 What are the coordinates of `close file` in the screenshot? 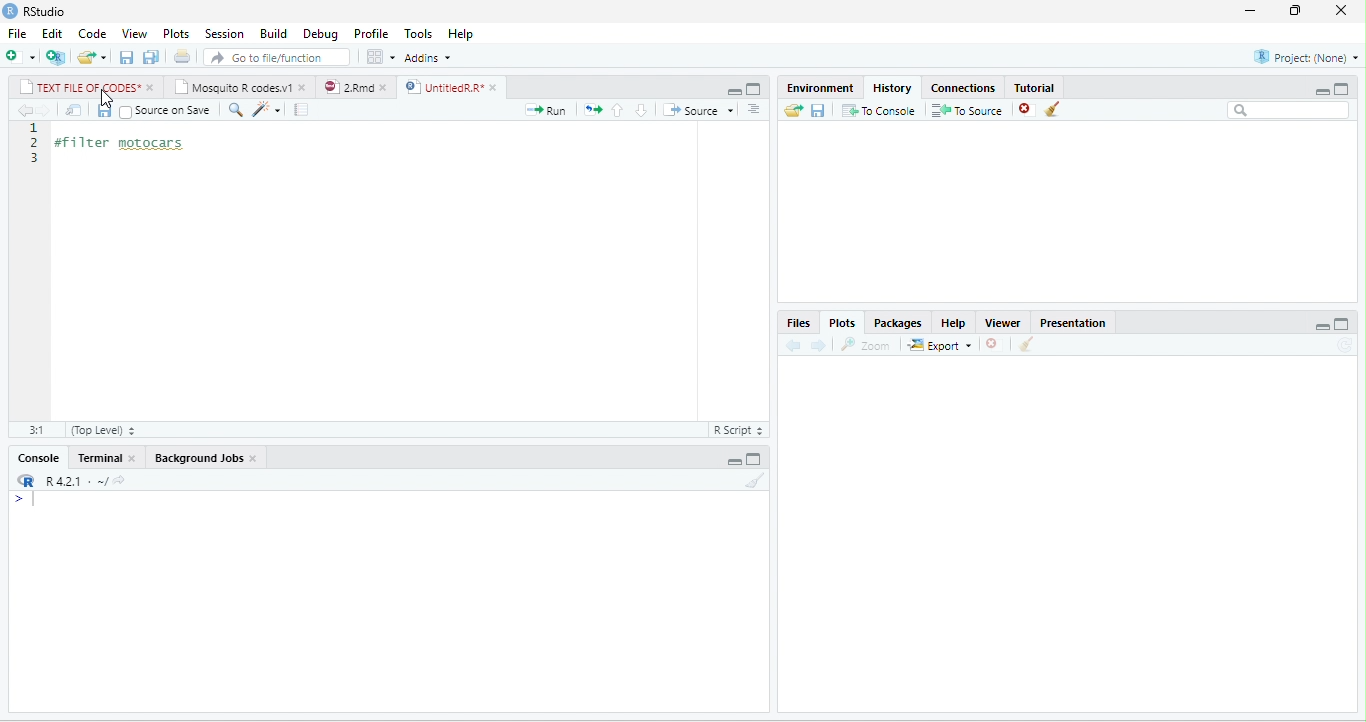 It's located at (994, 344).